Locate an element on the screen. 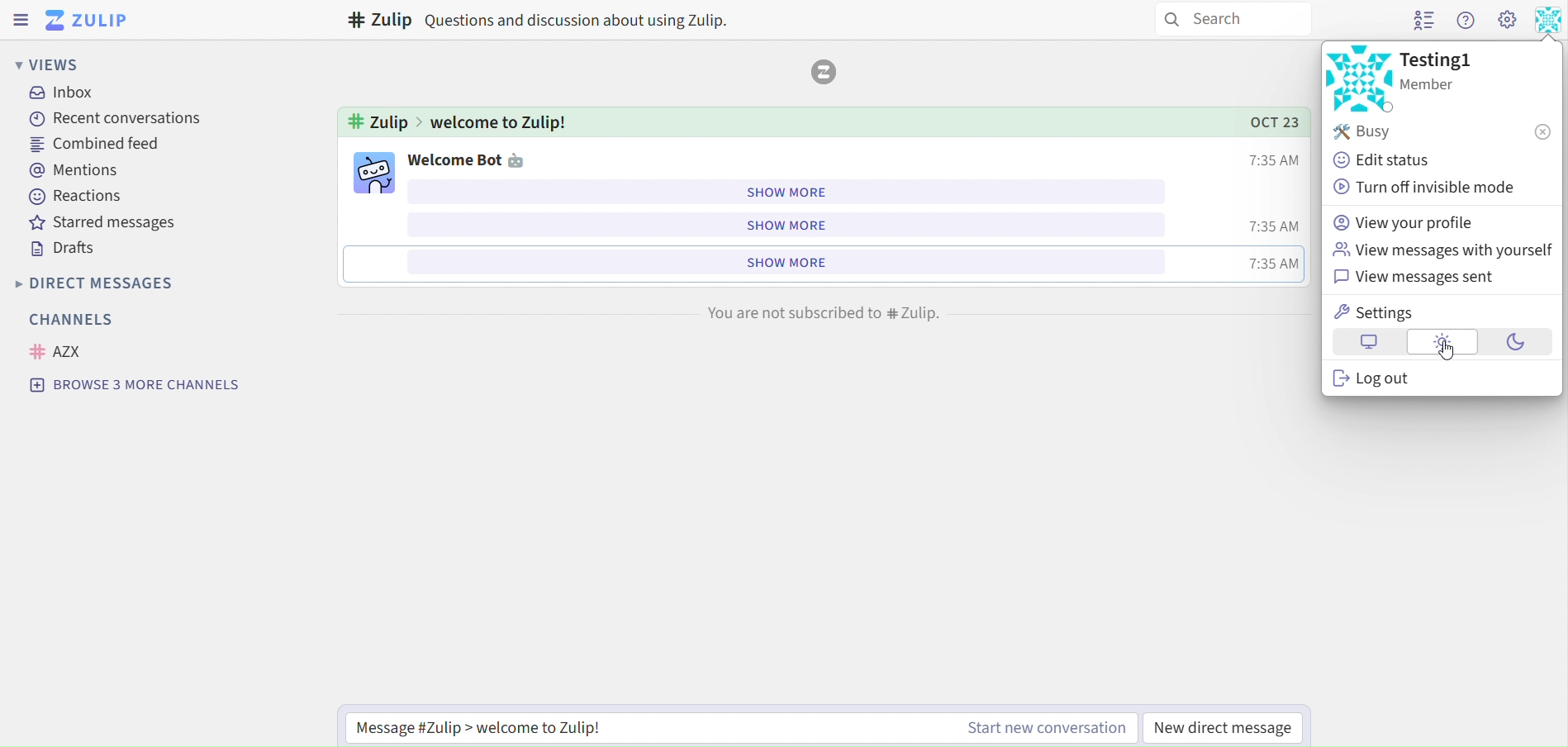  image is located at coordinates (376, 173).